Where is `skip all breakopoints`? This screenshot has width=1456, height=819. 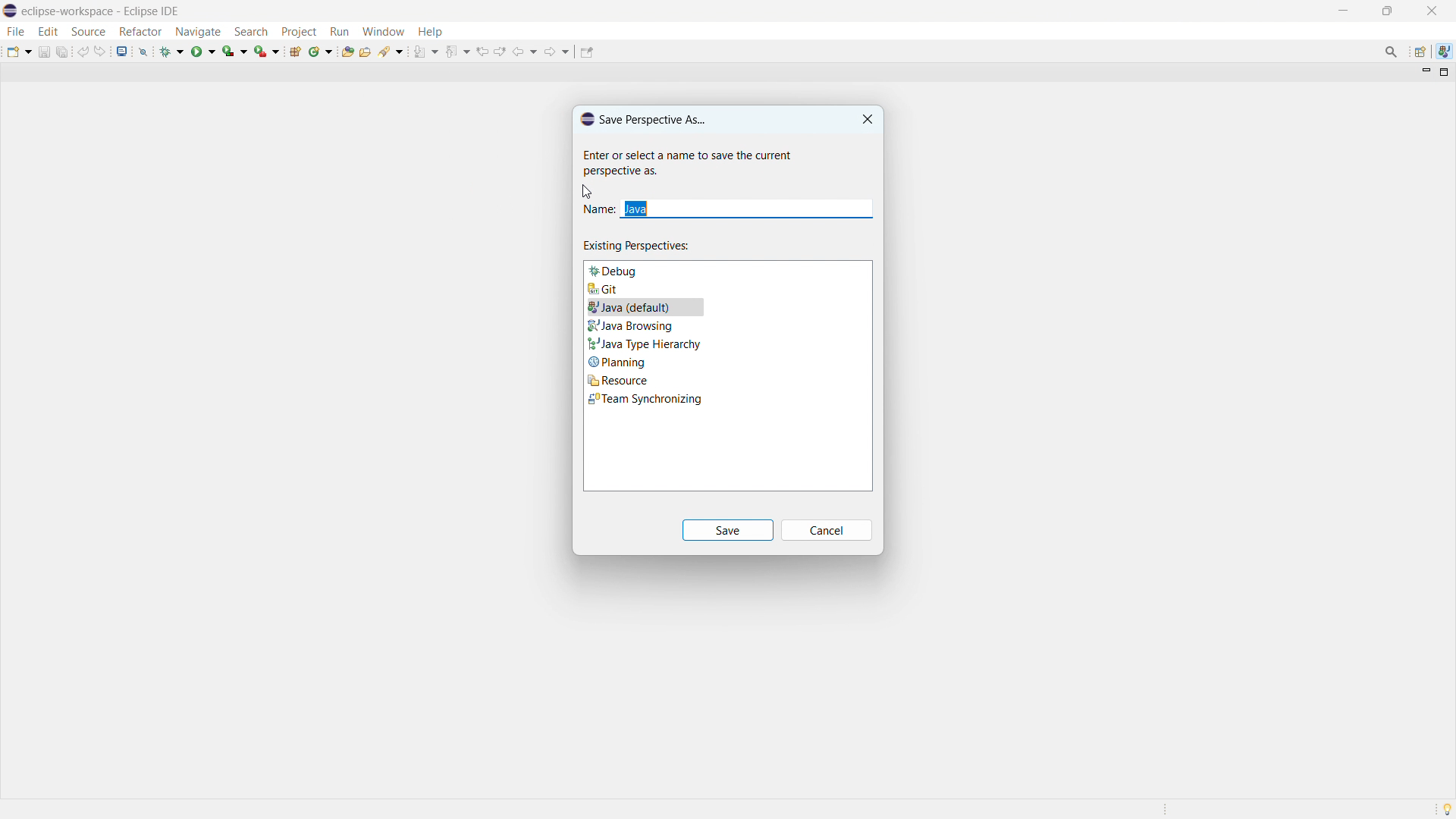 skip all breakopoints is located at coordinates (143, 51).